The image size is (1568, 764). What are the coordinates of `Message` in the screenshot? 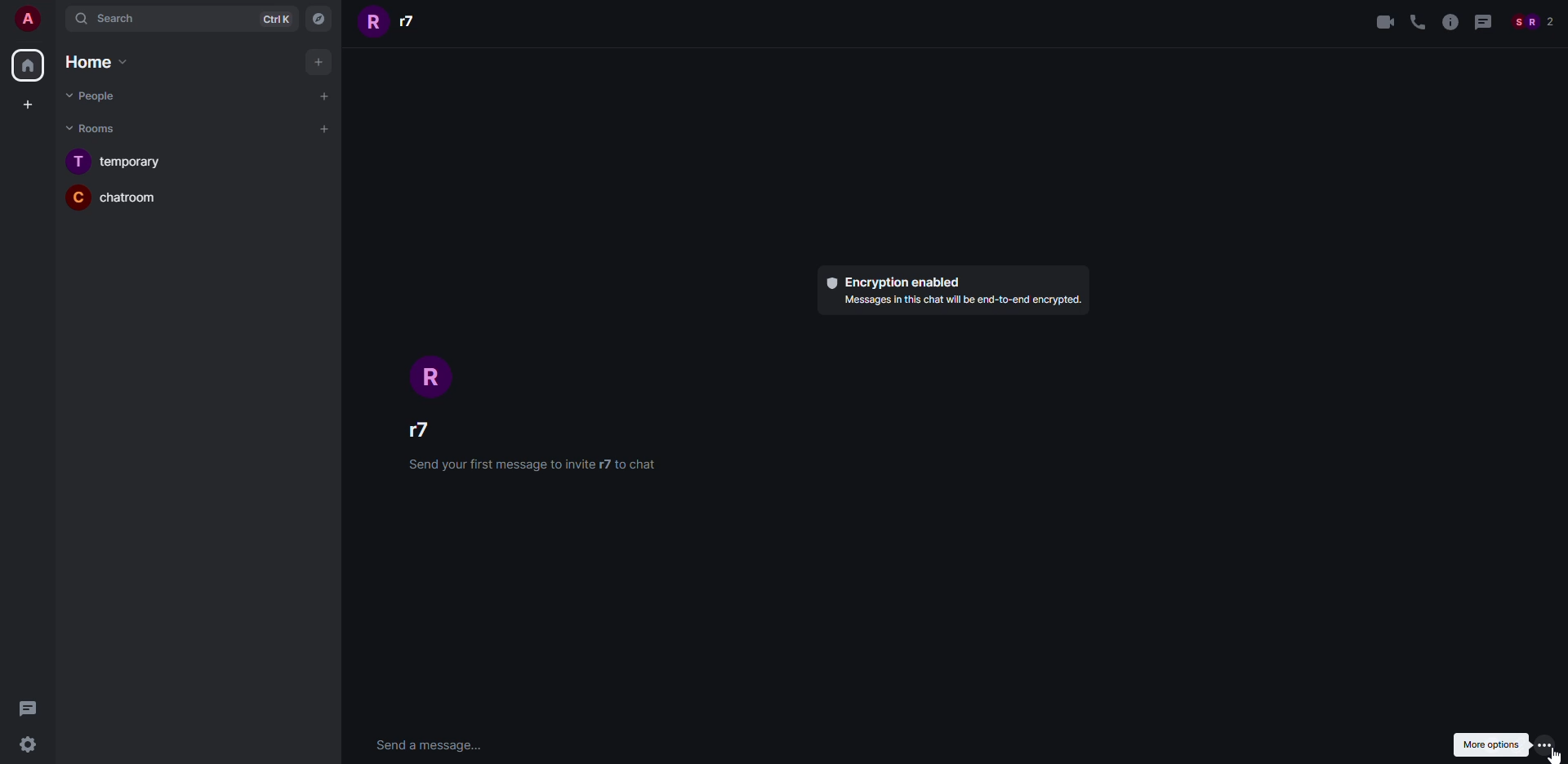 It's located at (1481, 24).